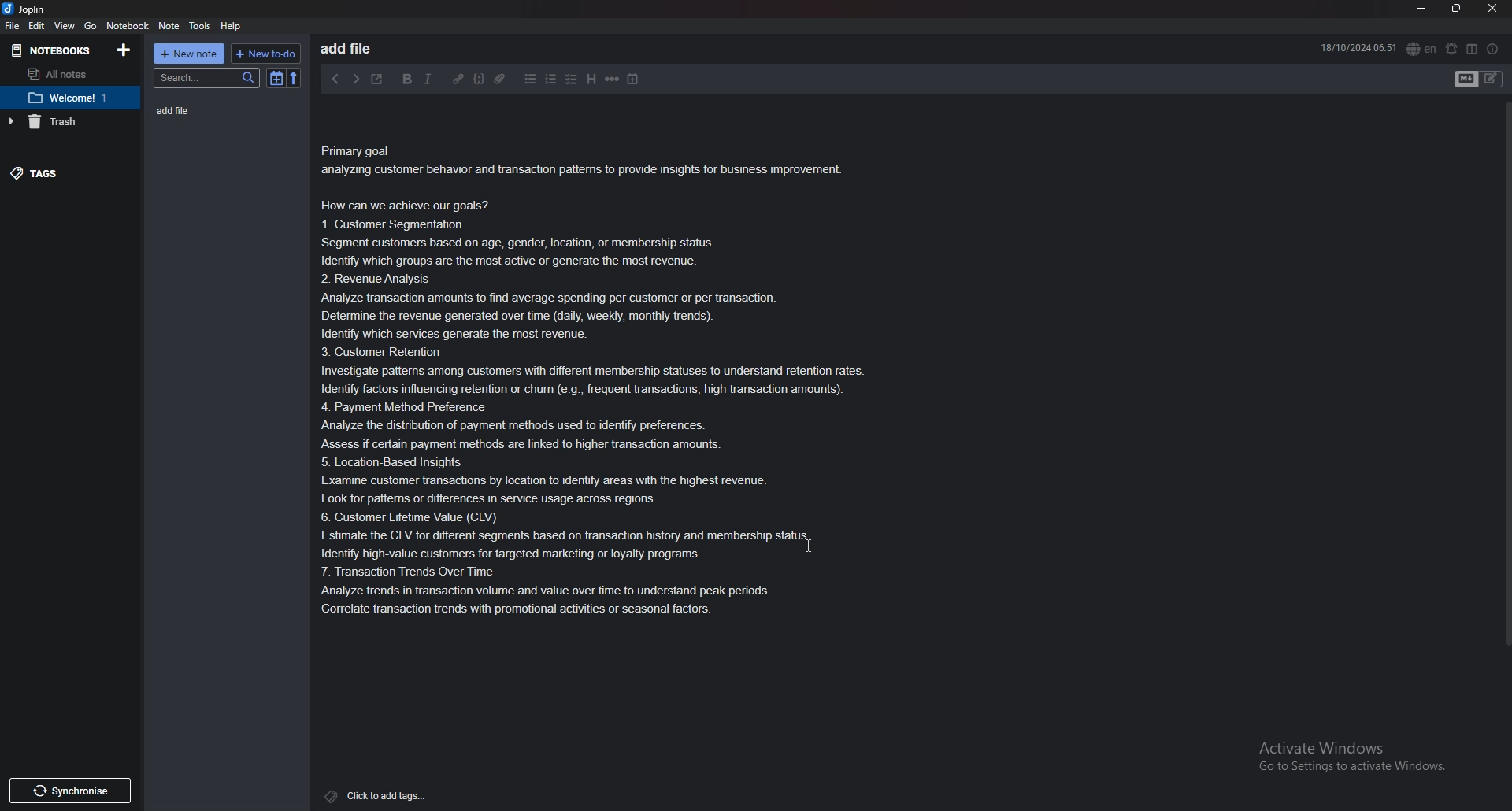 The image size is (1512, 811). What do you see at coordinates (592, 79) in the screenshot?
I see `Heading` at bounding box center [592, 79].